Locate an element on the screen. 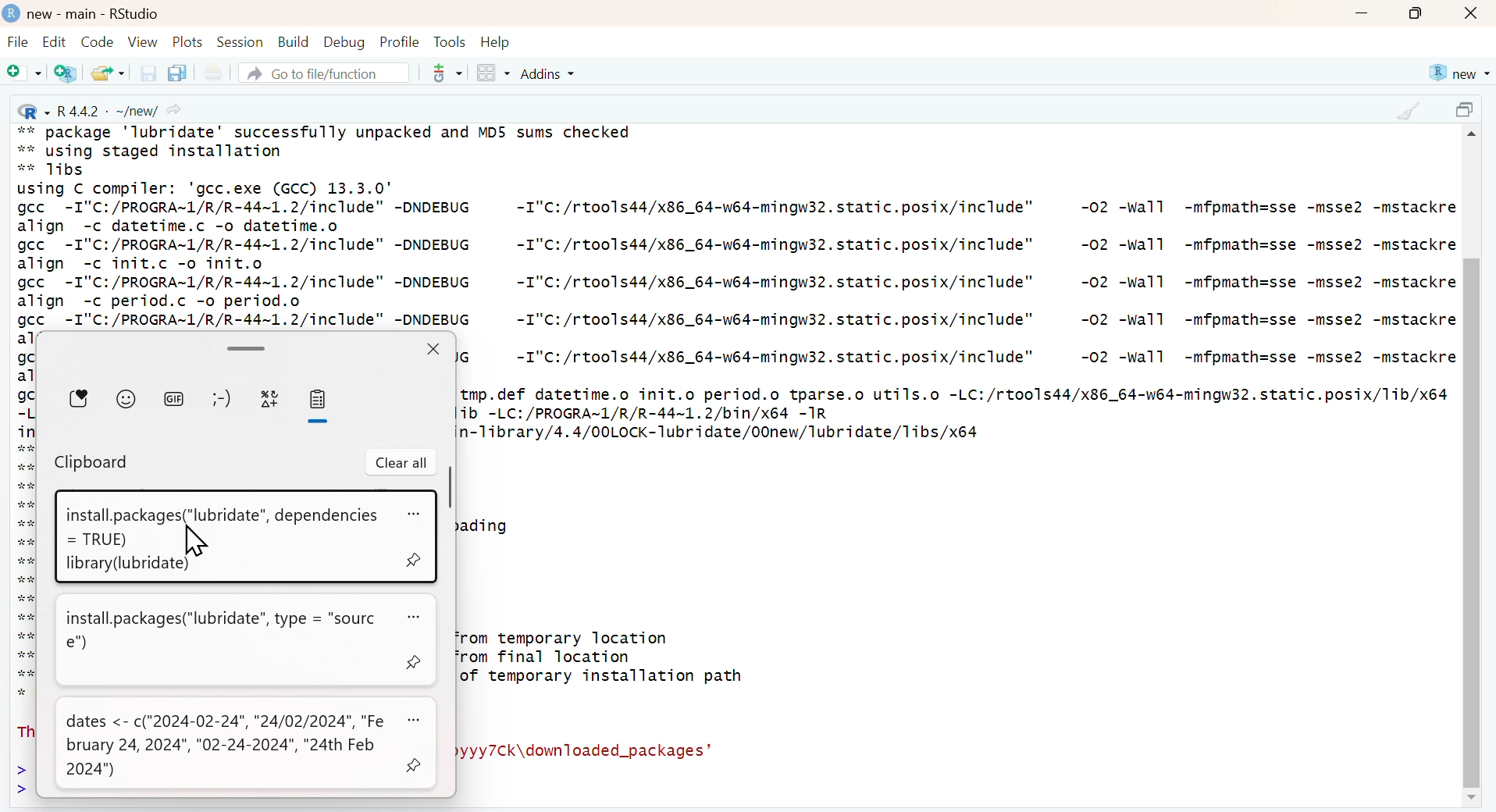  using C compiler: 'gcc.exe (GCC) 13.3.0°

gcc -I"C:/PROGRA~1/R/R-44~1.2/include" -DNDEBUG -I"C:/rtools44/x86_64-w64-mingw32.static.posix/include"” -02 -wall -mfpmath=sse -msse2 -mstackre
align -c datetime.c -o datetime.o

gcc -I"C:/PROGRA~1/R/R-44~1.2/include" -DNDEBUG -I"C:/rtools44/x86_64-w64-mingw32.static.posix/include"” -02 -wall -mfpmath=sse -msse2 -mstackre
align -c init.c -o init.o

gcc -I"C:/PROGRA~1/R/R-44~1.2/include" -DNDEBUG -I"C:/rtools44/x86_64-w64-mingw32.static.posix/include"” -02 -wall -mfpmath=sse -msse2 -mstackre
align -c period.c -o period.o

gcc -I"C:/PROGRA~1/R/R-44~1.2/include" -DNDEBUG -I"C:/rtools44/x86_64-w64-mingw32.static.posix/include"” -02 -wall -mfpmath=sse -msse2 -mstackre
align -c tparse.c -o tparse.o

gcc -I"C:/PROGRA~1/R/R-44~1.2/include"” -DNDEBUG -I"C:/rtools44/x86_64-w64-mingw32.static.posix/include"” -02 -wall -mfpmath=sse -msse2 -mstackre
align -c utils.c -o utils.o is located at coordinates (736, 254).